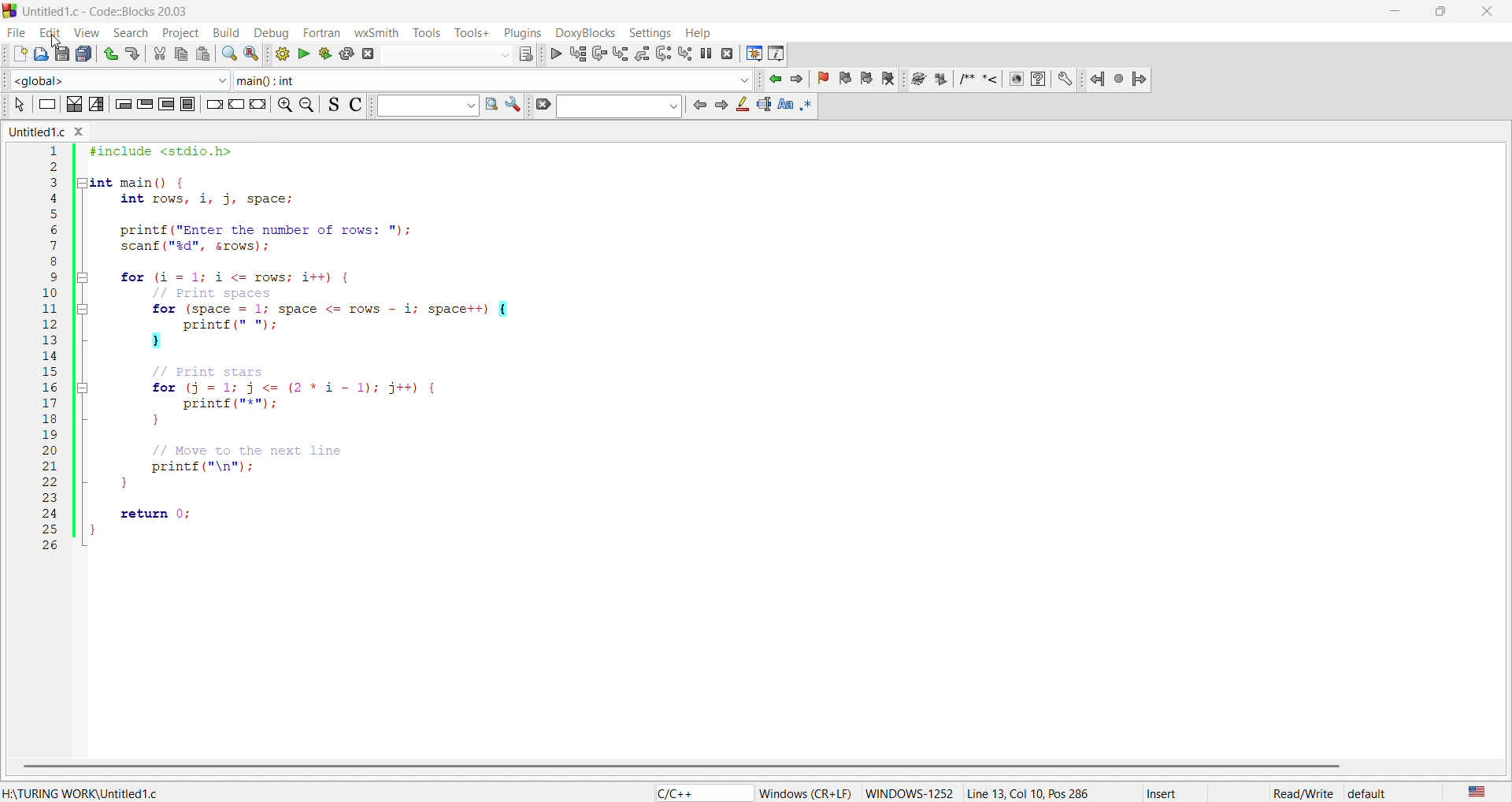 The width and height of the screenshot is (1512, 802). I want to click on jump backward, so click(773, 79).